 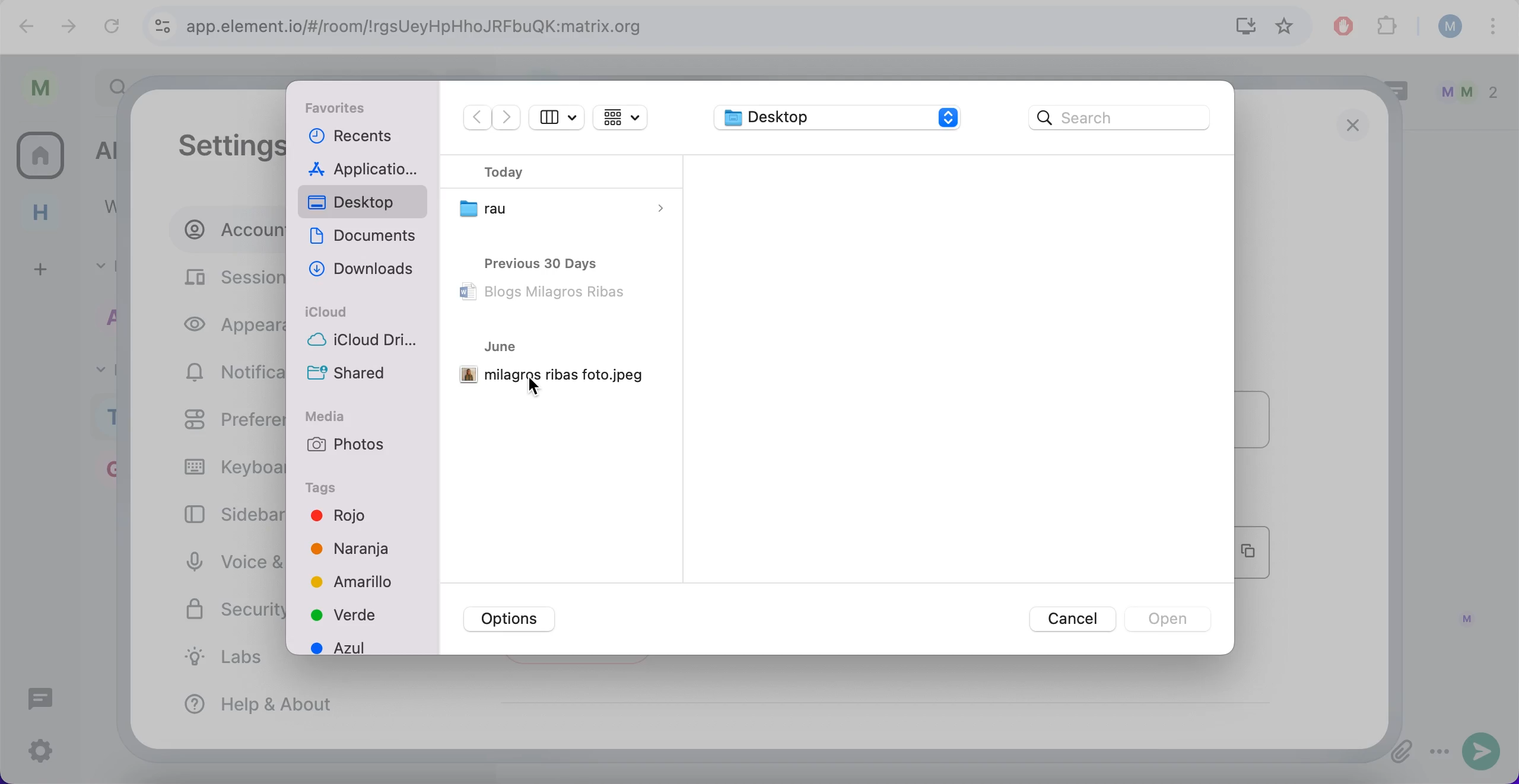 What do you see at coordinates (1389, 28) in the screenshot?
I see `extensions` at bounding box center [1389, 28].